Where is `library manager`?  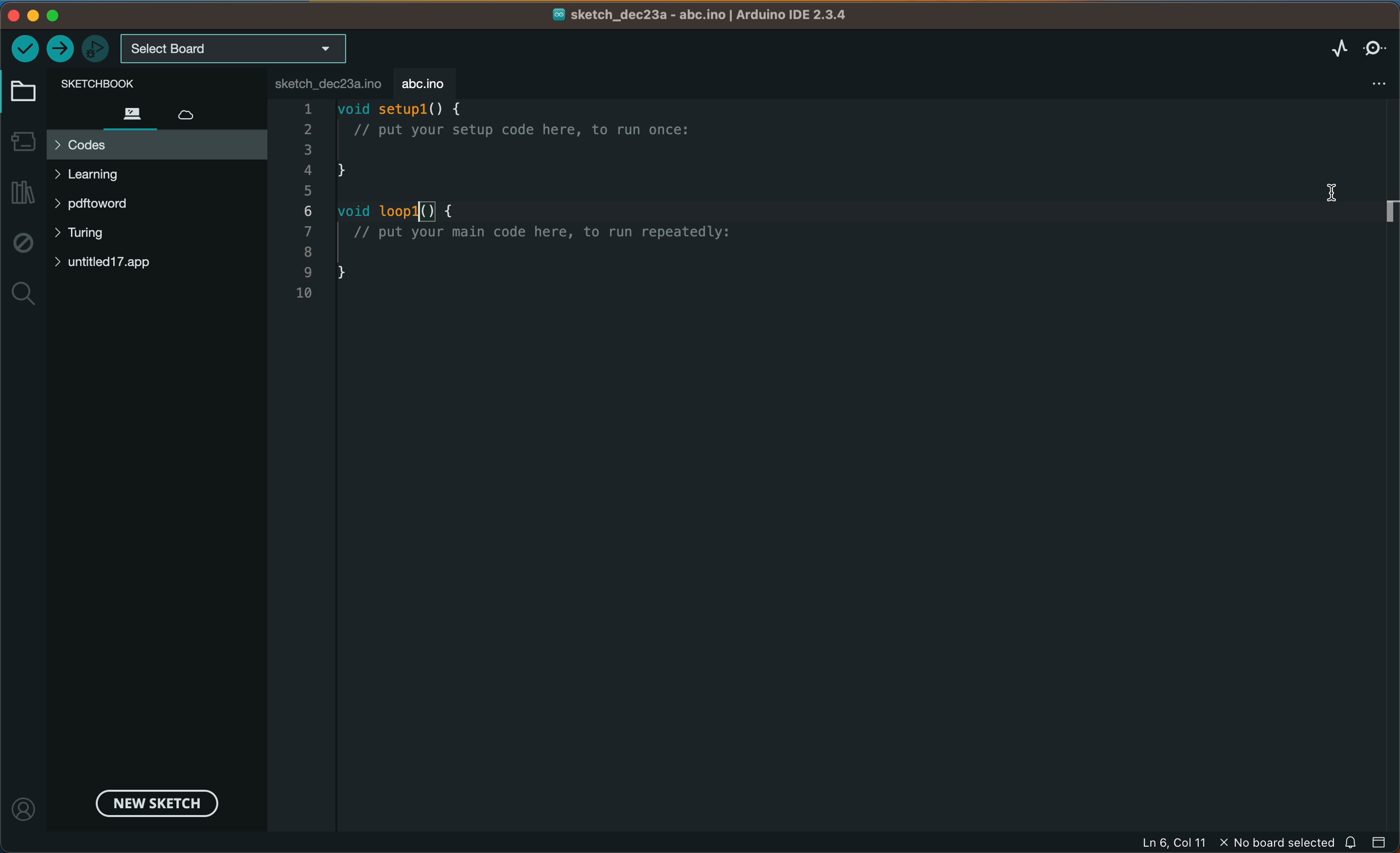
library manager is located at coordinates (21, 188).